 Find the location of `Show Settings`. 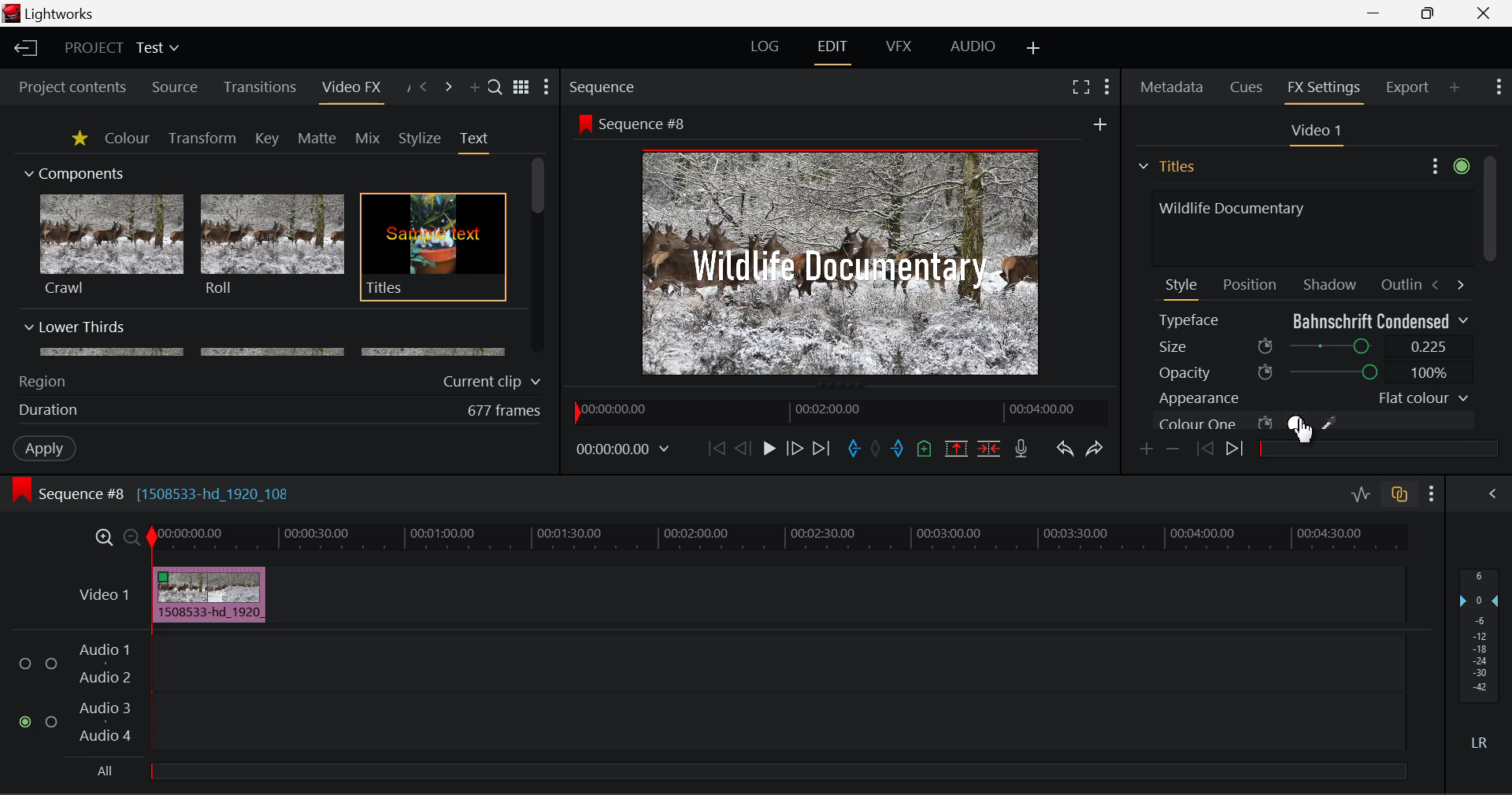

Show Settings is located at coordinates (1432, 494).